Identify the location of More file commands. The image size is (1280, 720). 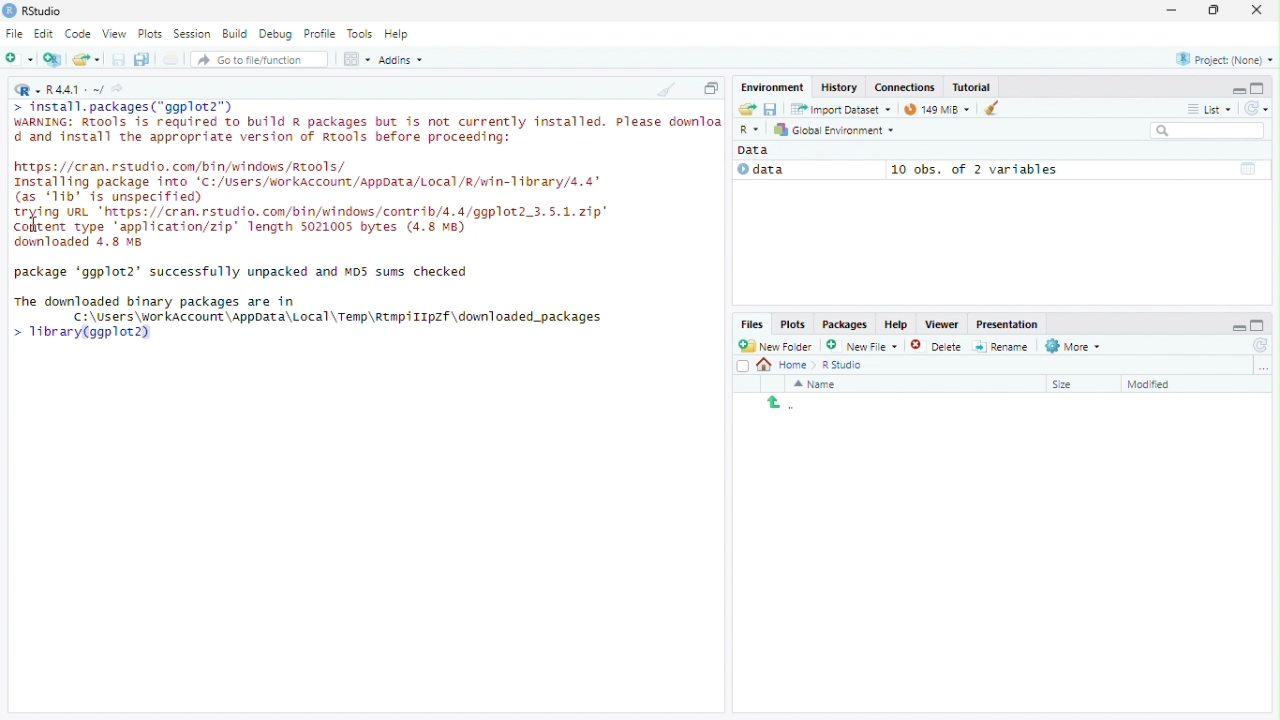
(1073, 346).